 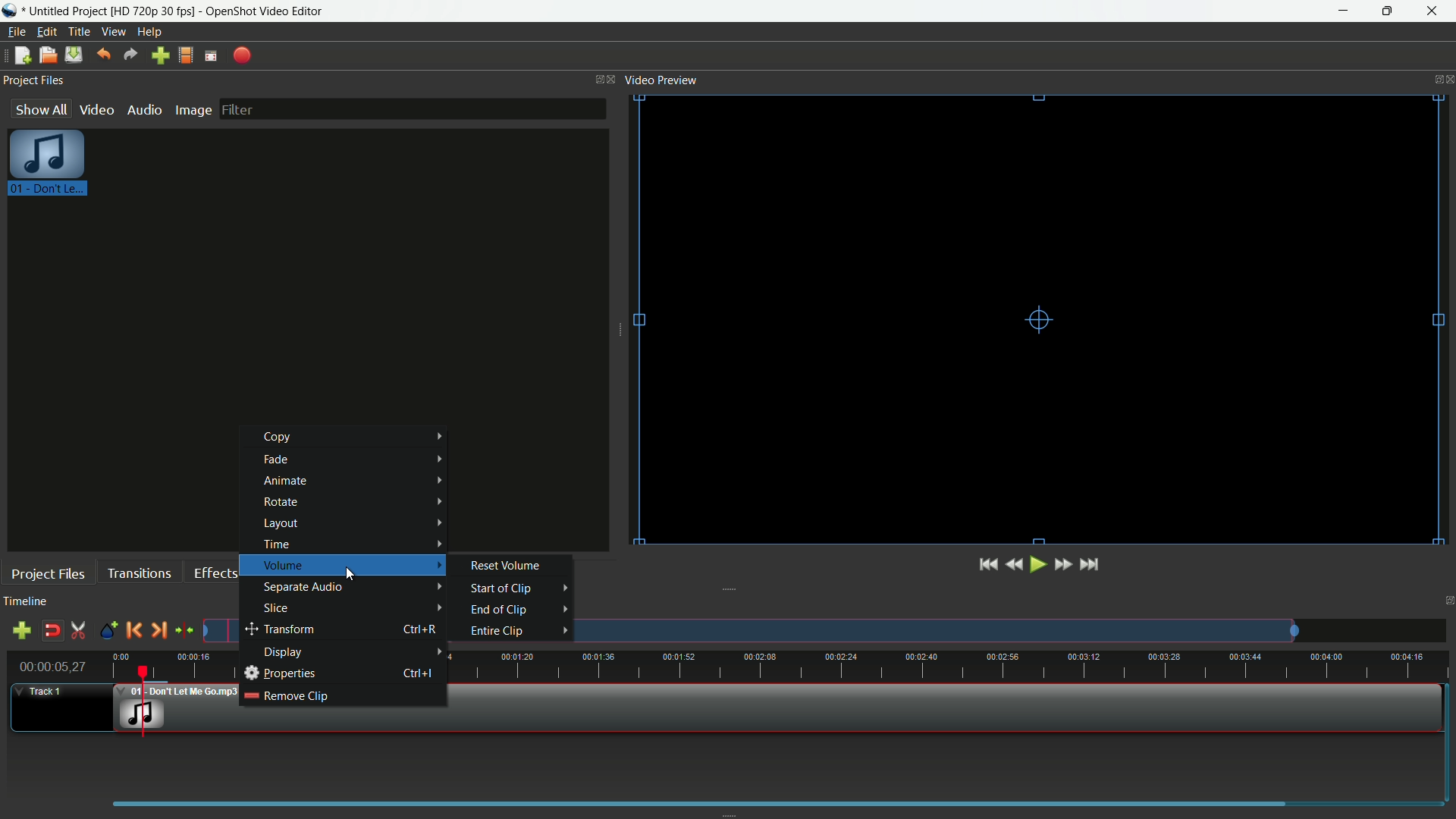 What do you see at coordinates (162, 56) in the screenshot?
I see `import file` at bounding box center [162, 56].